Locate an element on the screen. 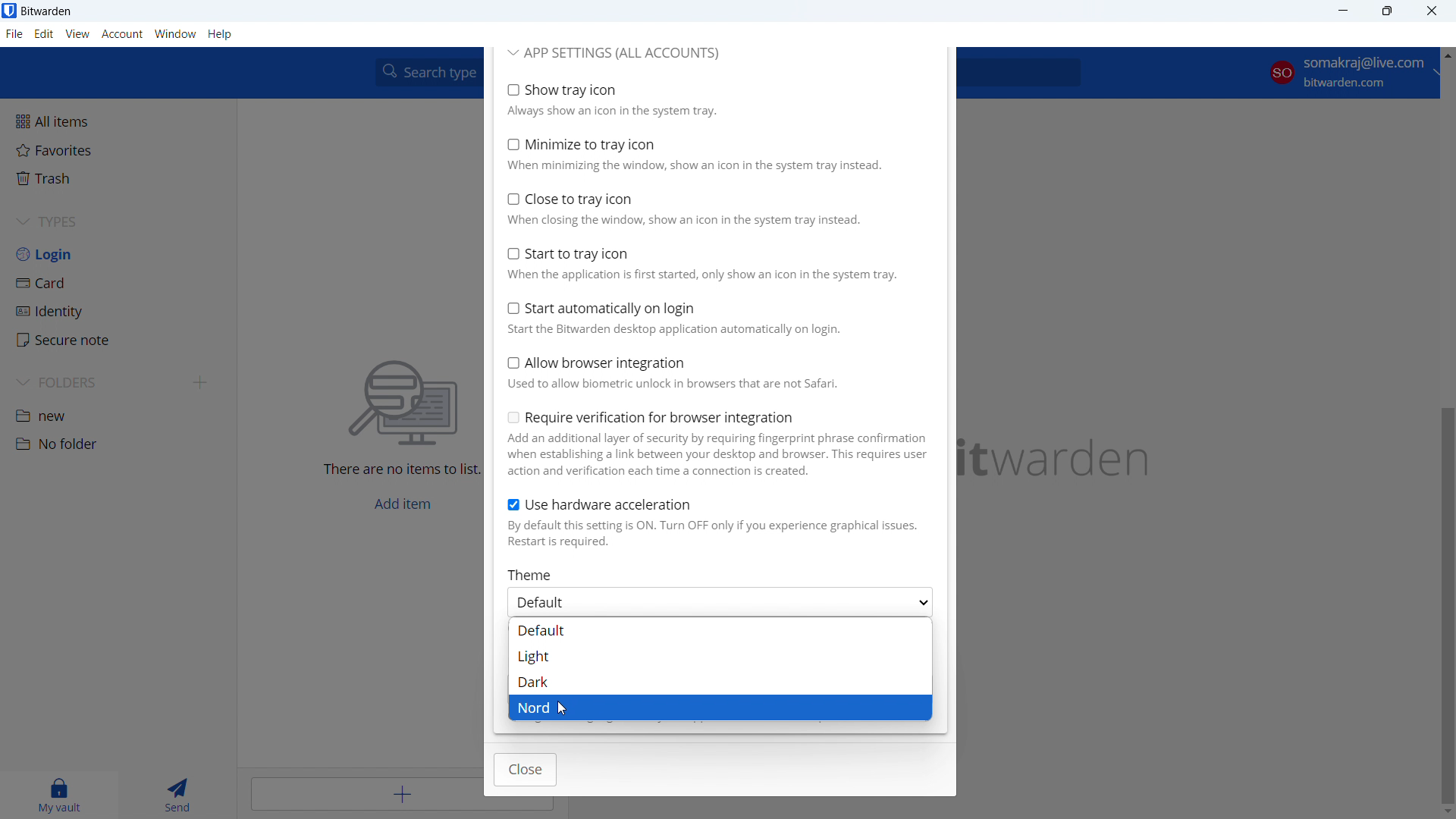 The height and width of the screenshot is (819, 1456). account is located at coordinates (1347, 75).